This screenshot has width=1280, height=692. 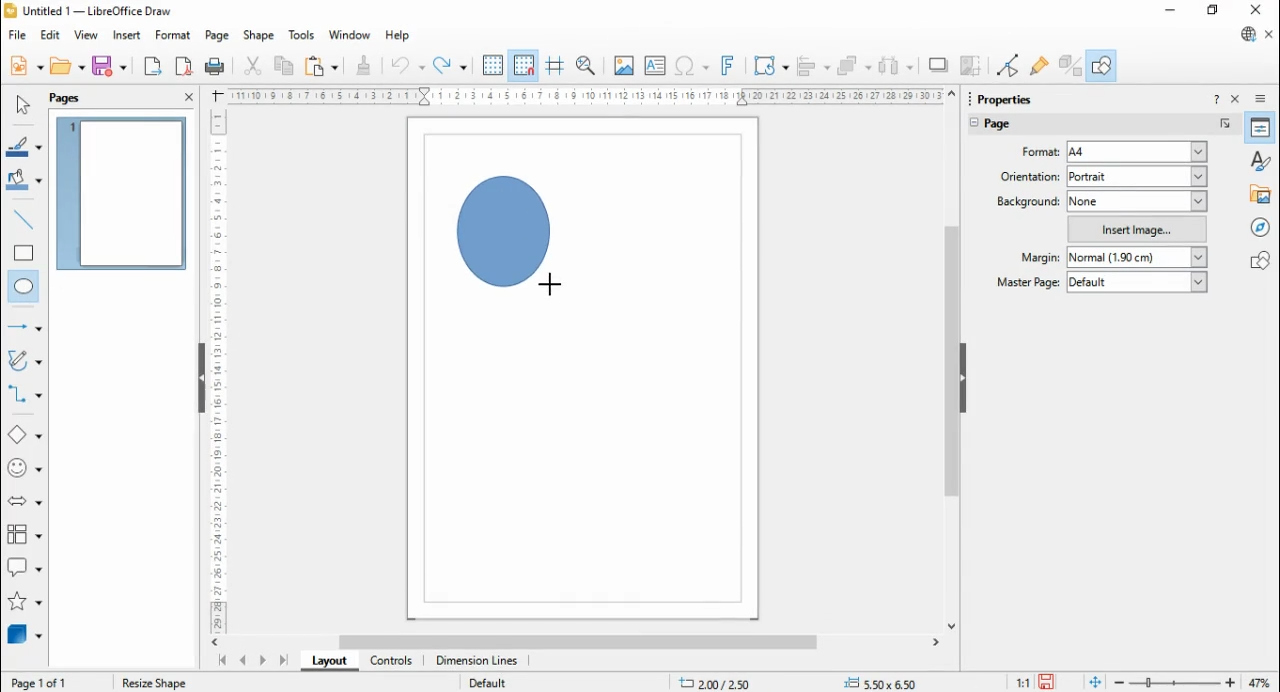 What do you see at coordinates (1137, 228) in the screenshot?
I see `insert image` at bounding box center [1137, 228].